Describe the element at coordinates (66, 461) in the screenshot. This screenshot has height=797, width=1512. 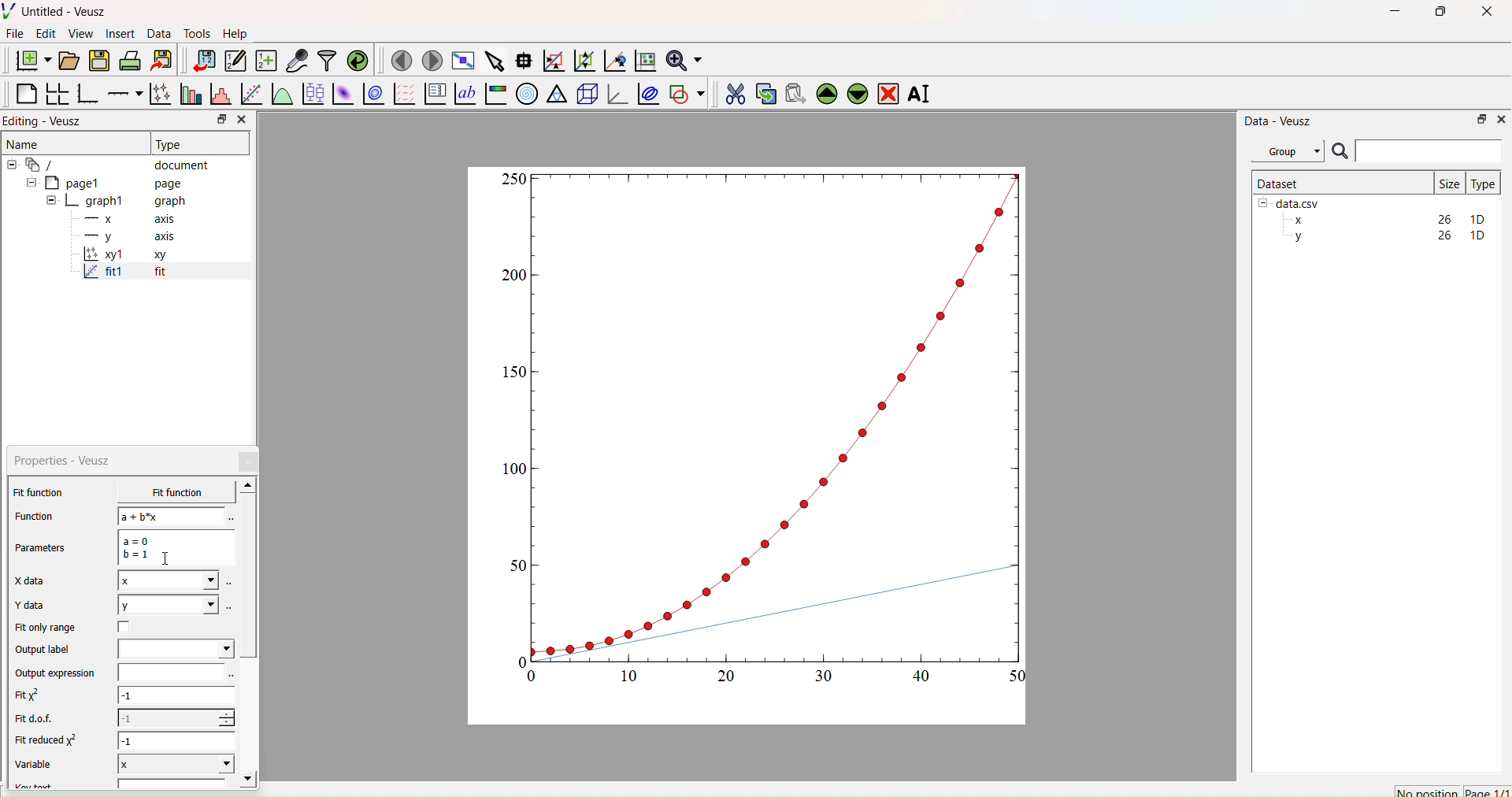
I see `Properties - Veusz` at that location.